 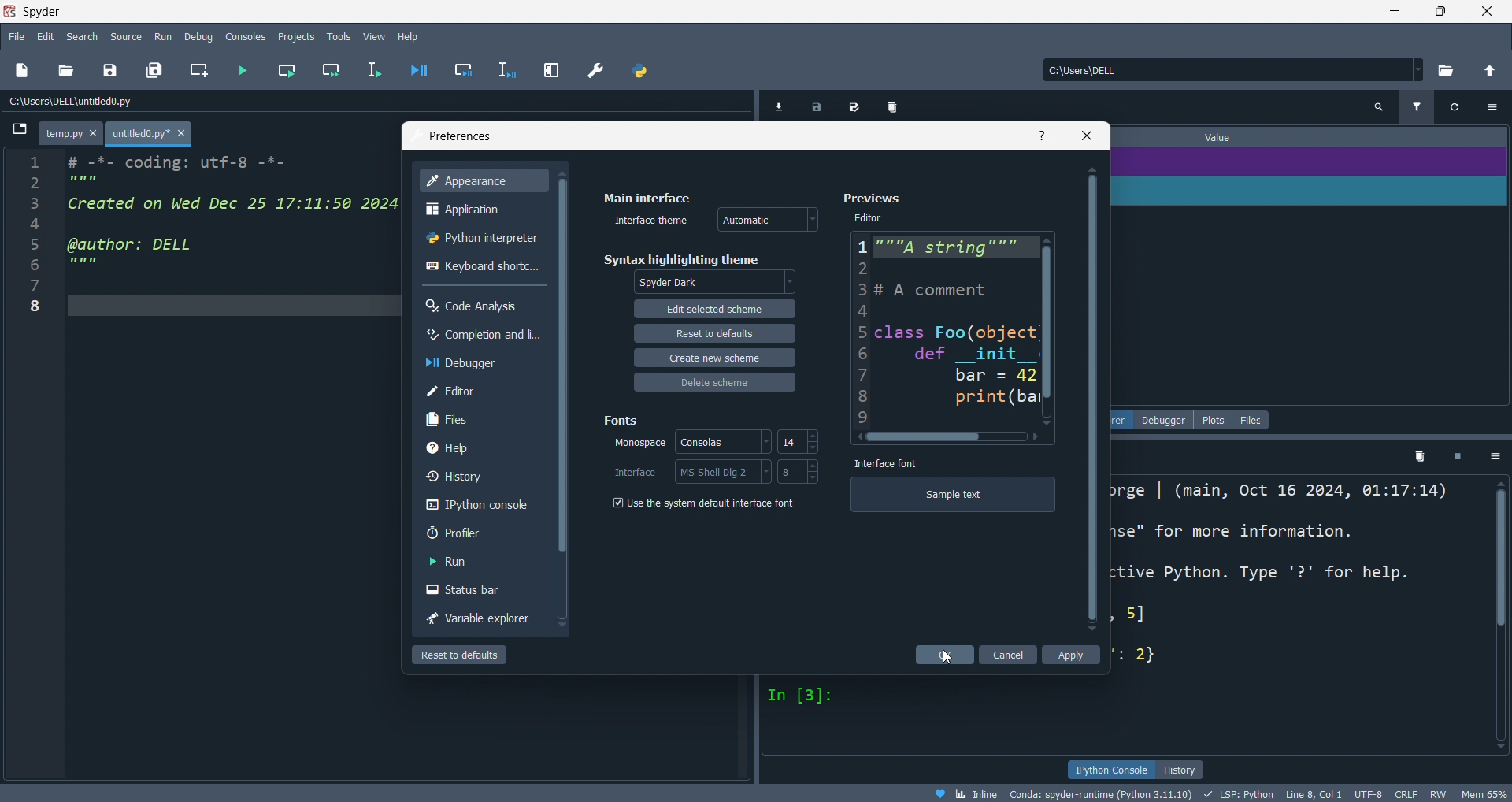 I want to click on files, so click(x=1252, y=419).